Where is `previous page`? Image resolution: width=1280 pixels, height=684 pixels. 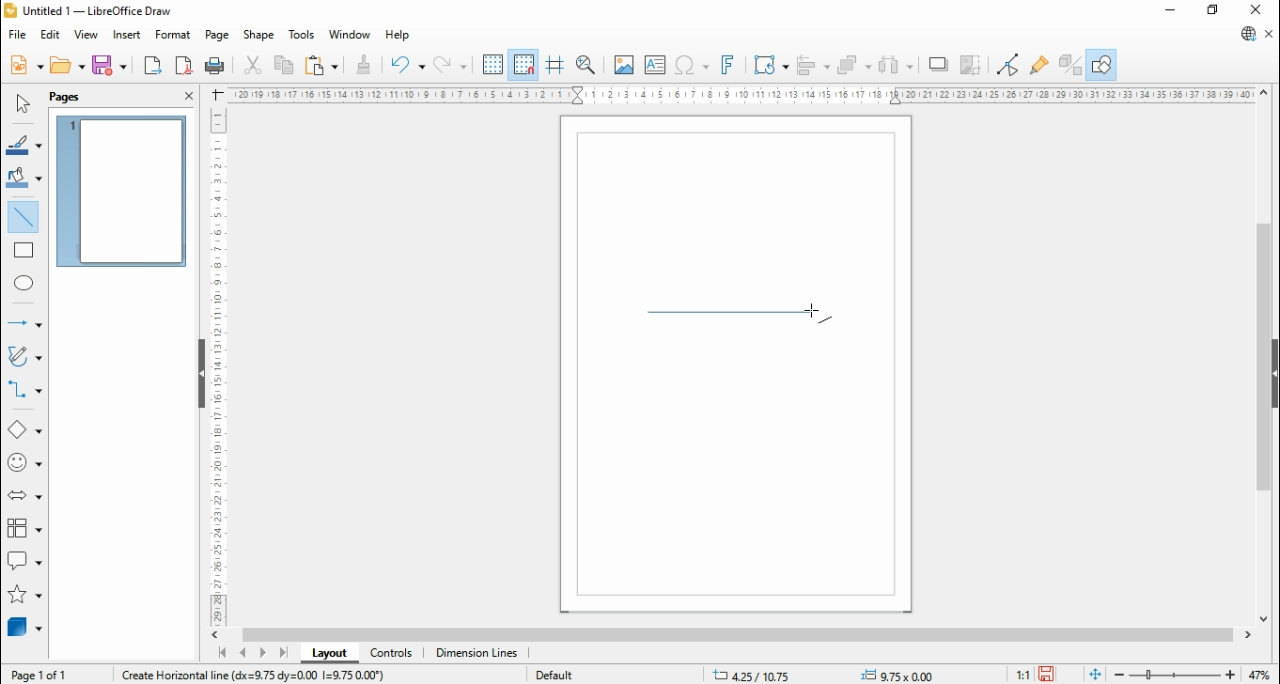
previous page is located at coordinates (242, 653).